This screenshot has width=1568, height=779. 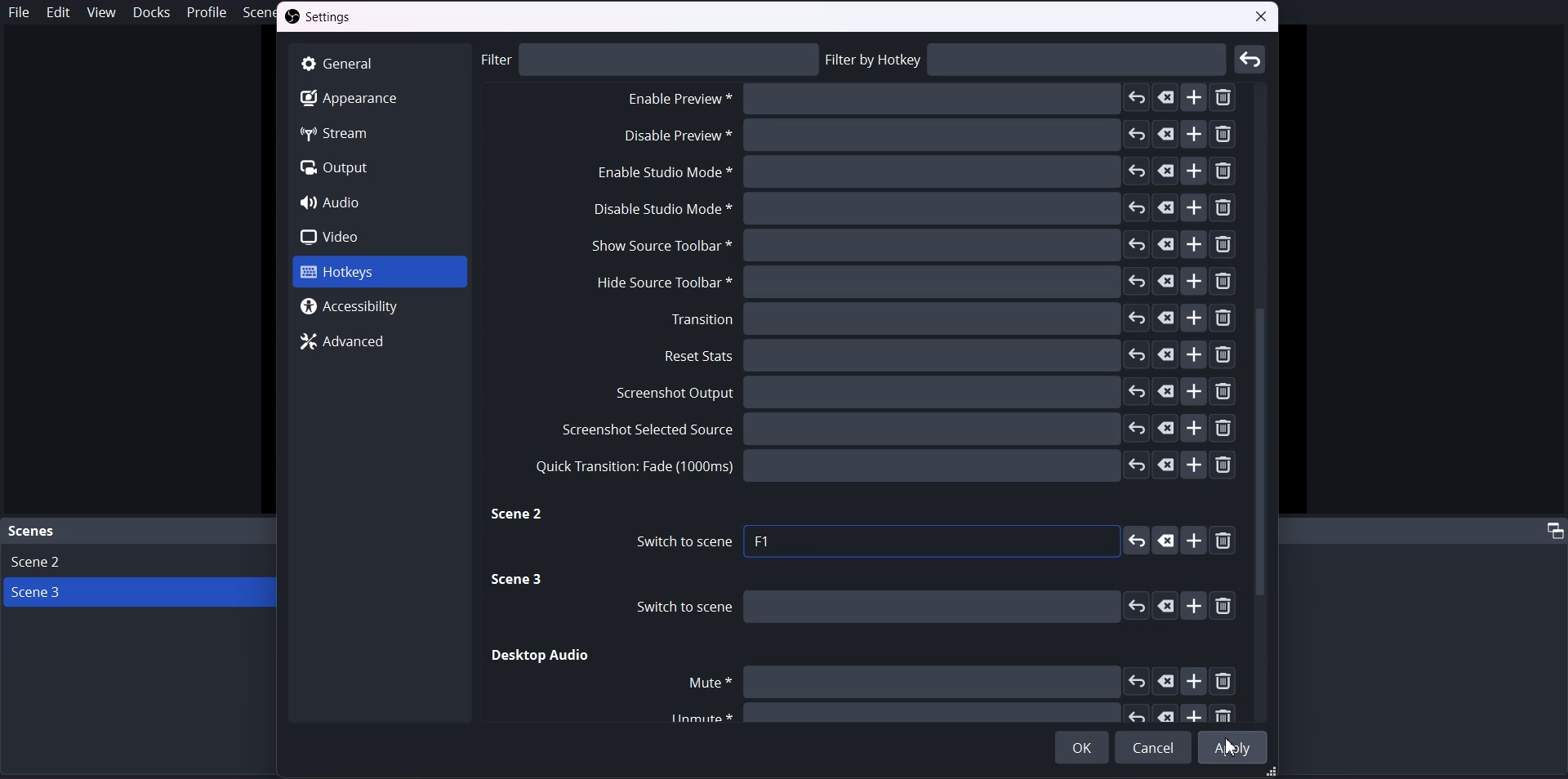 What do you see at coordinates (1234, 746) in the screenshot?
I see `Apply` at bounding box center [1234, 746].